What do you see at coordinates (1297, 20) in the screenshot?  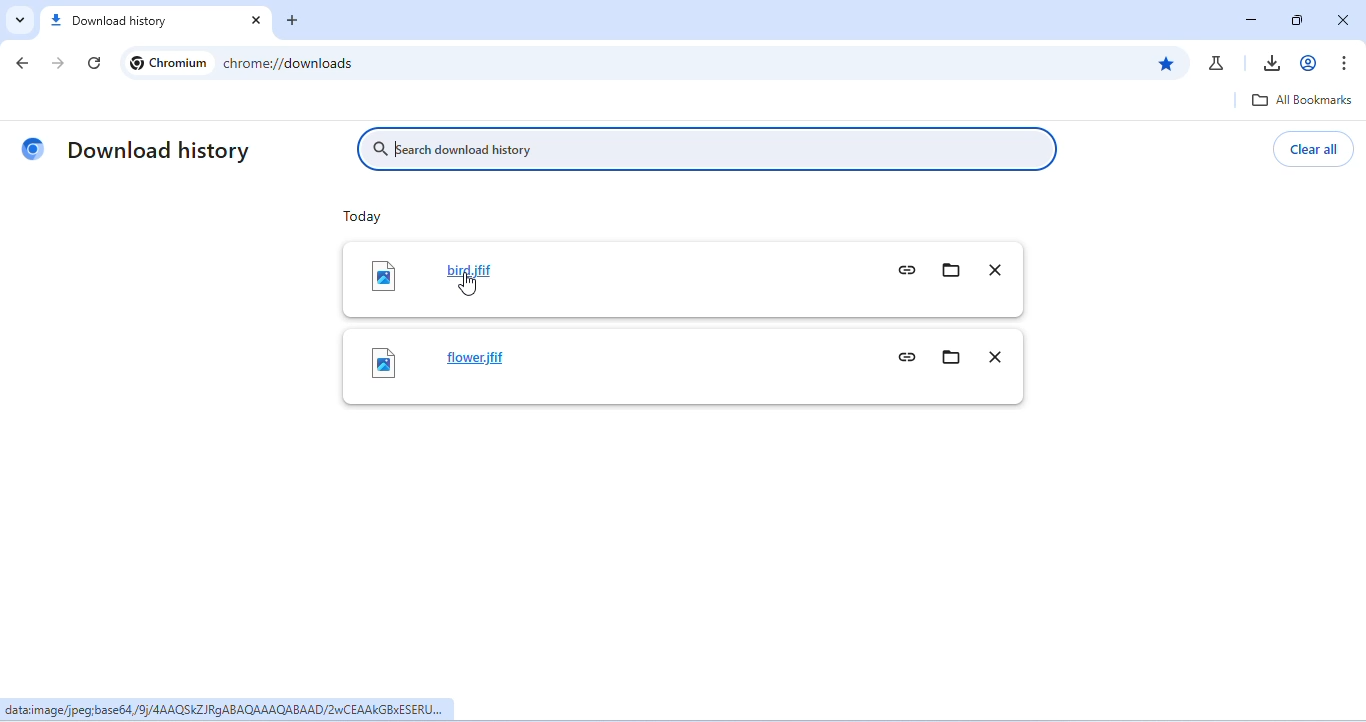 I see `maximize` at bounding box center [1297, 20].